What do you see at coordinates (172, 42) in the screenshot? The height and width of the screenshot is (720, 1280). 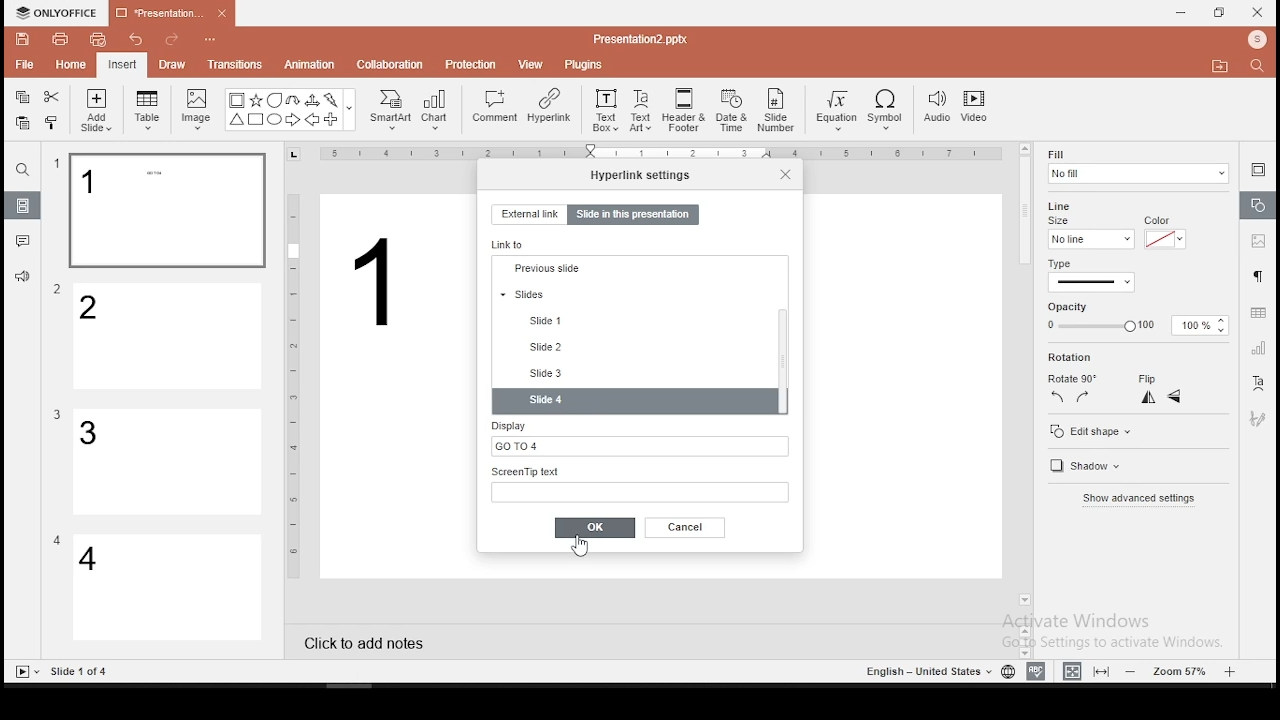 I see `redo` at bounding box center [172, 42].